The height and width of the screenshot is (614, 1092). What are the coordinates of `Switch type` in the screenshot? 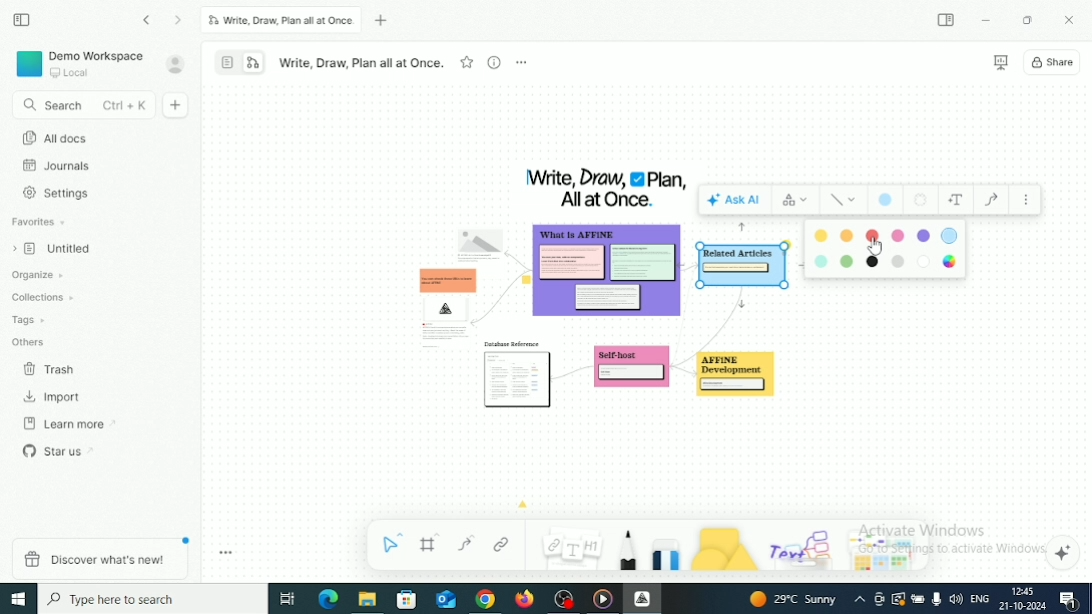 It's located at (796, 198).